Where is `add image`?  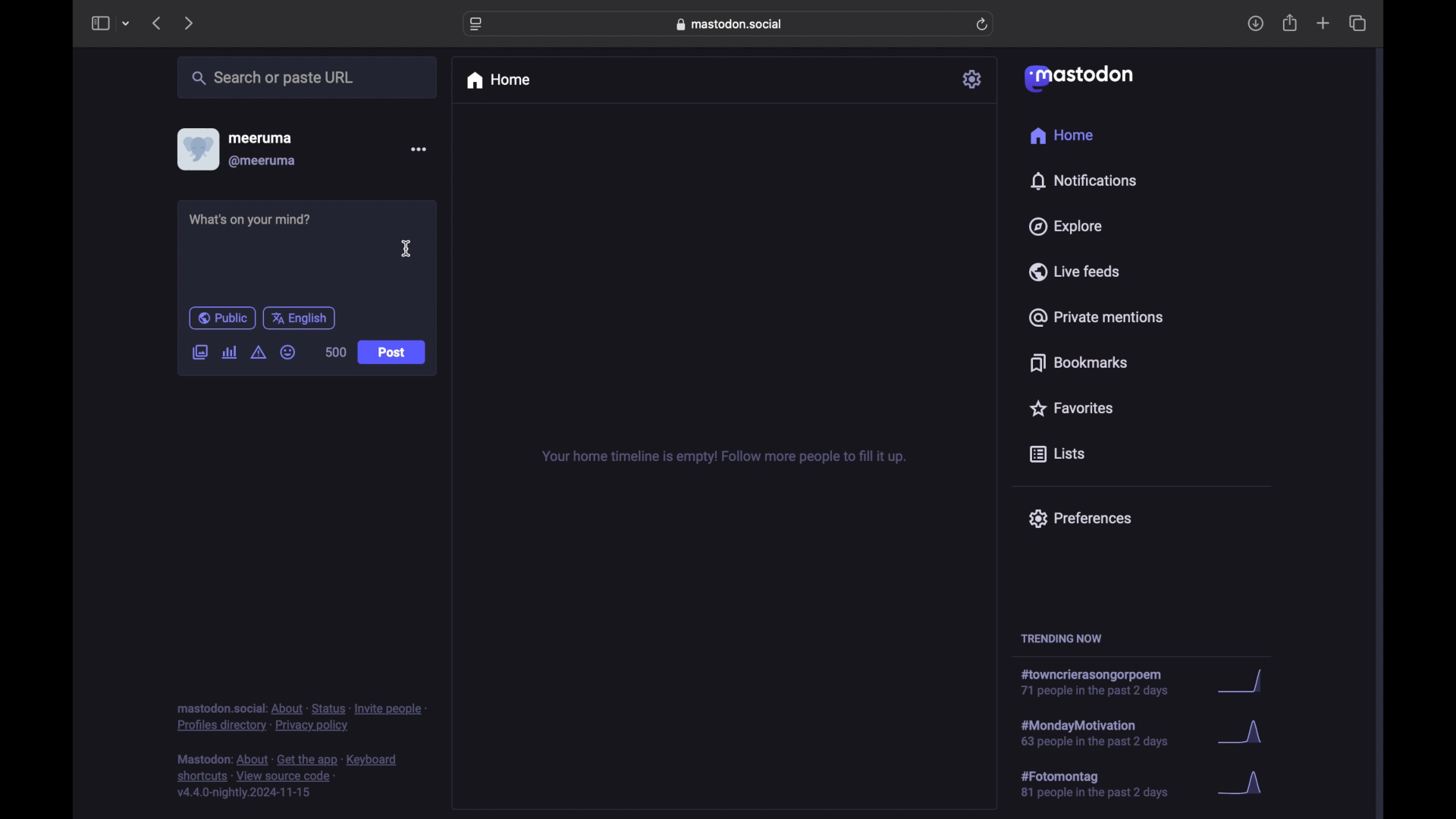 add image is located at coordinates (199, 353).